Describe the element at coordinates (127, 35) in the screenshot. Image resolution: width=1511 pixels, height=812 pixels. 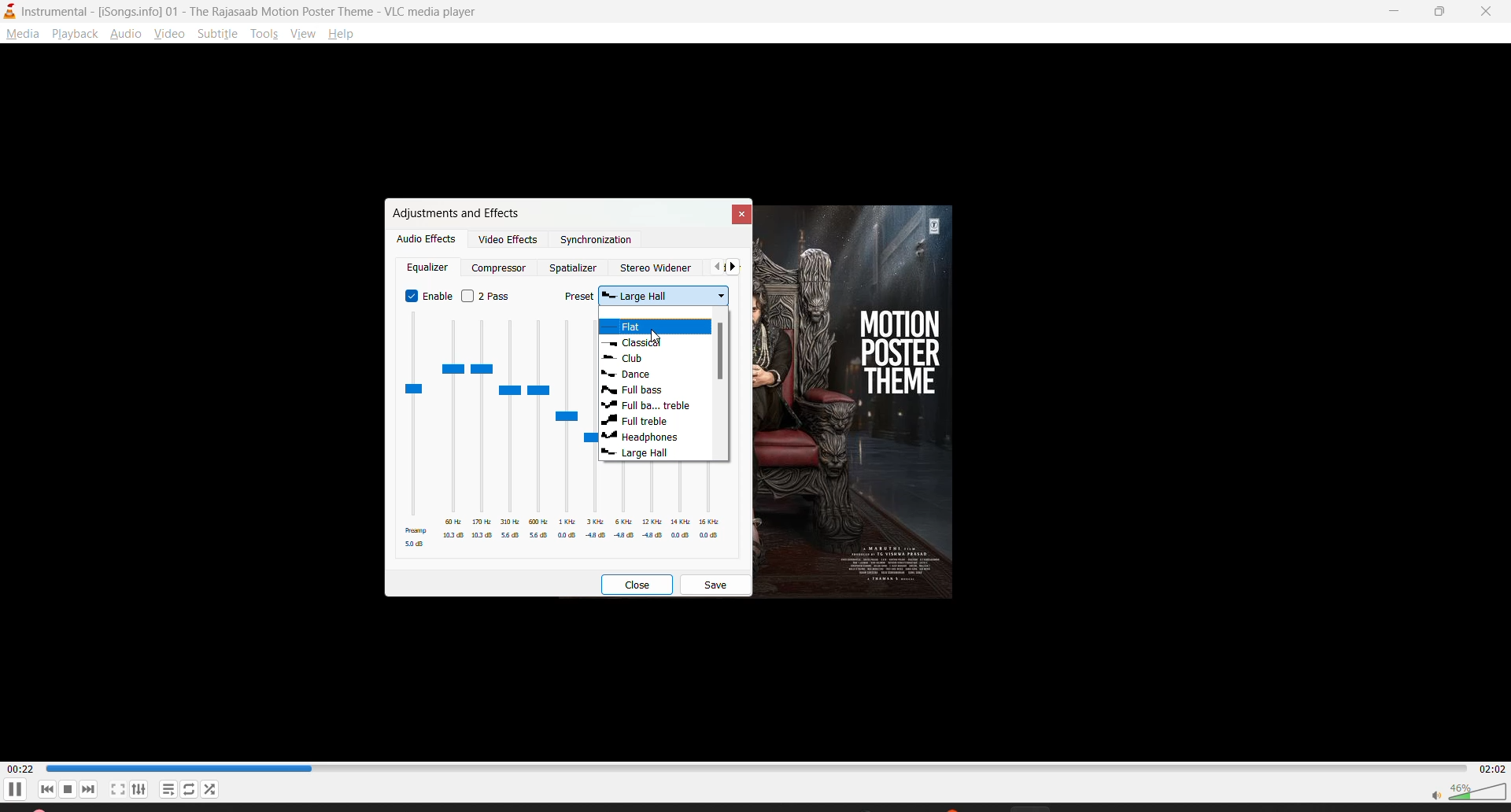
I see `audio` at that location.